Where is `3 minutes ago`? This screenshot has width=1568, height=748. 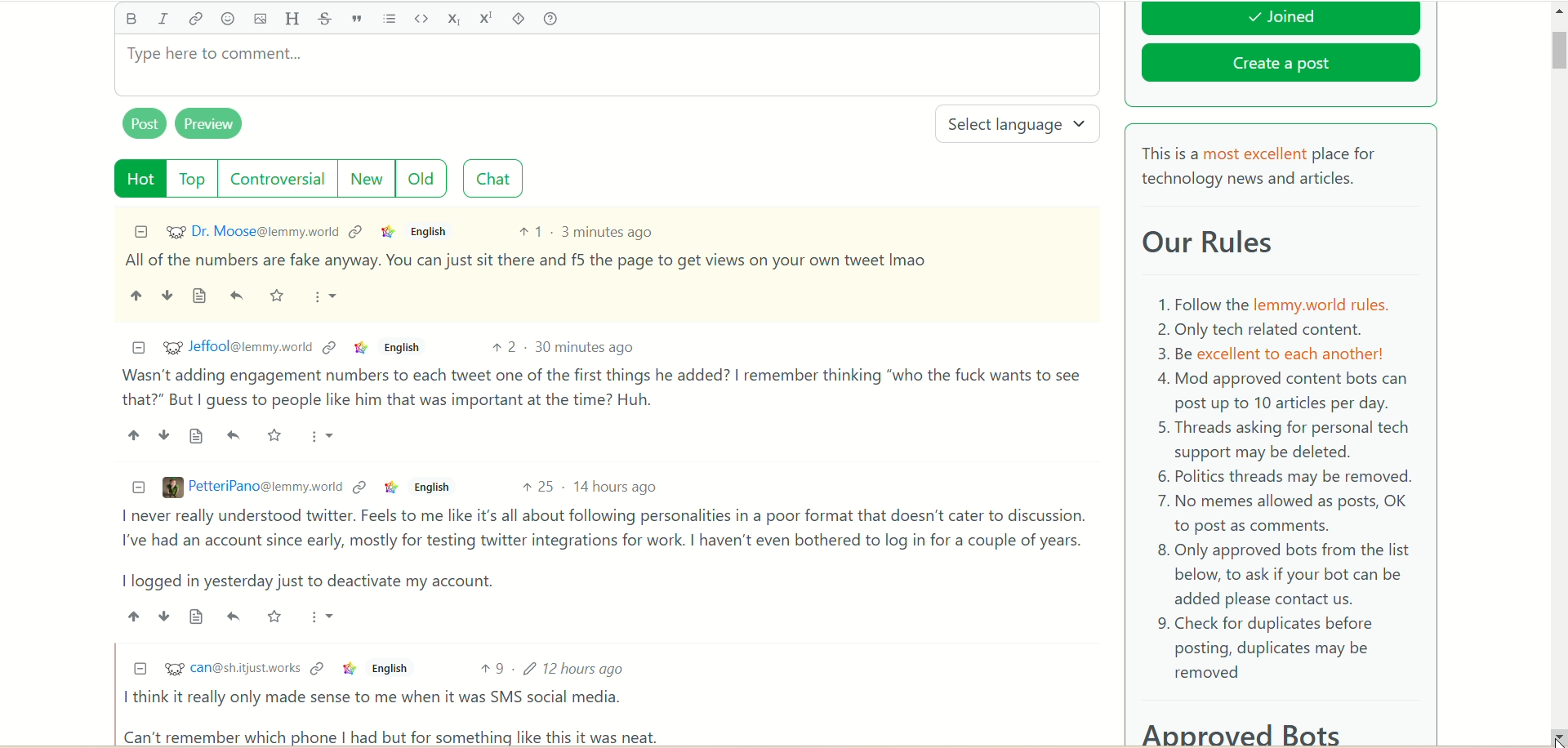
3 minutes ago is located at coordinates (608, 231).